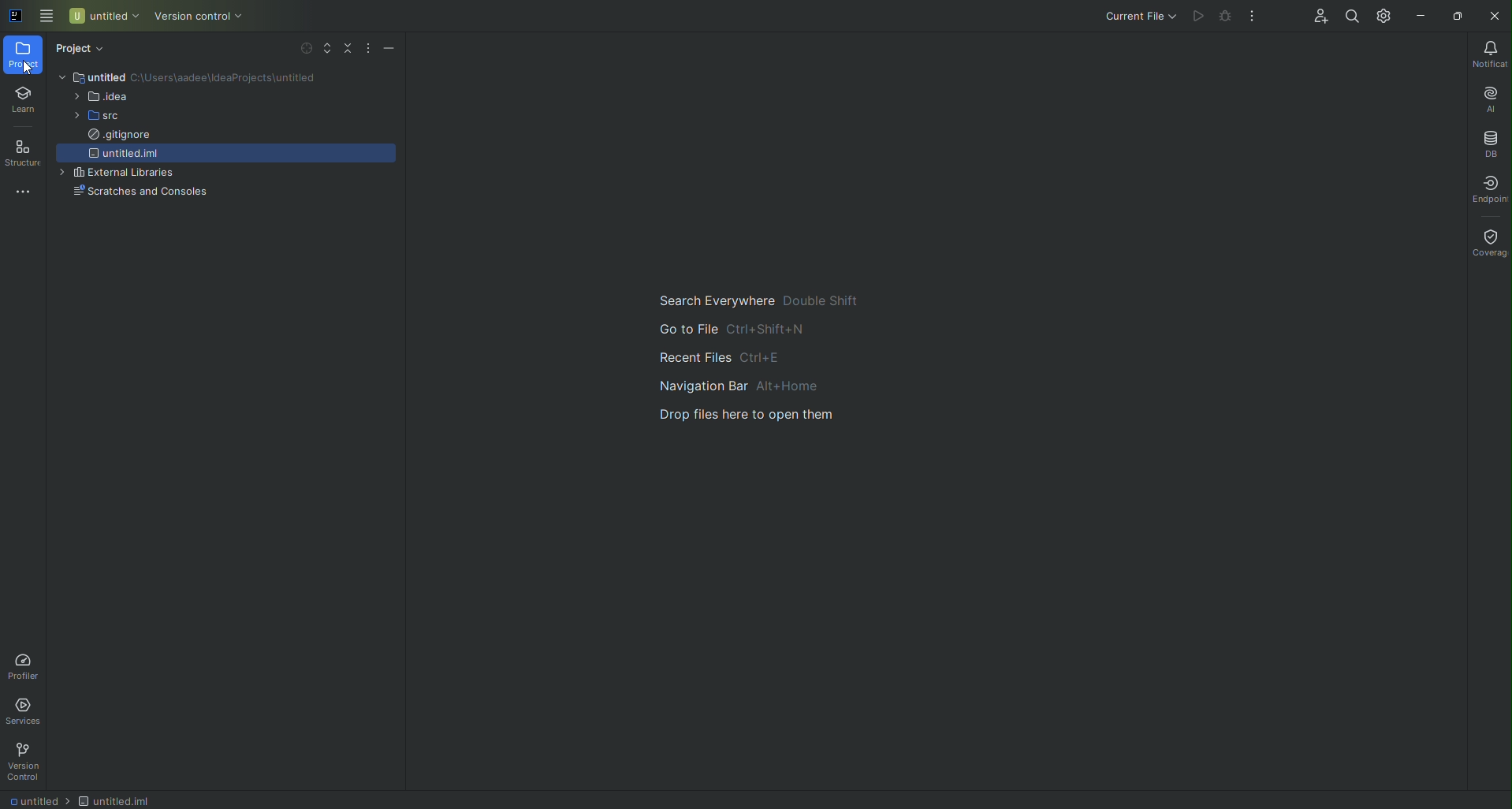  I want to click on Untitled, so click(102, 19).